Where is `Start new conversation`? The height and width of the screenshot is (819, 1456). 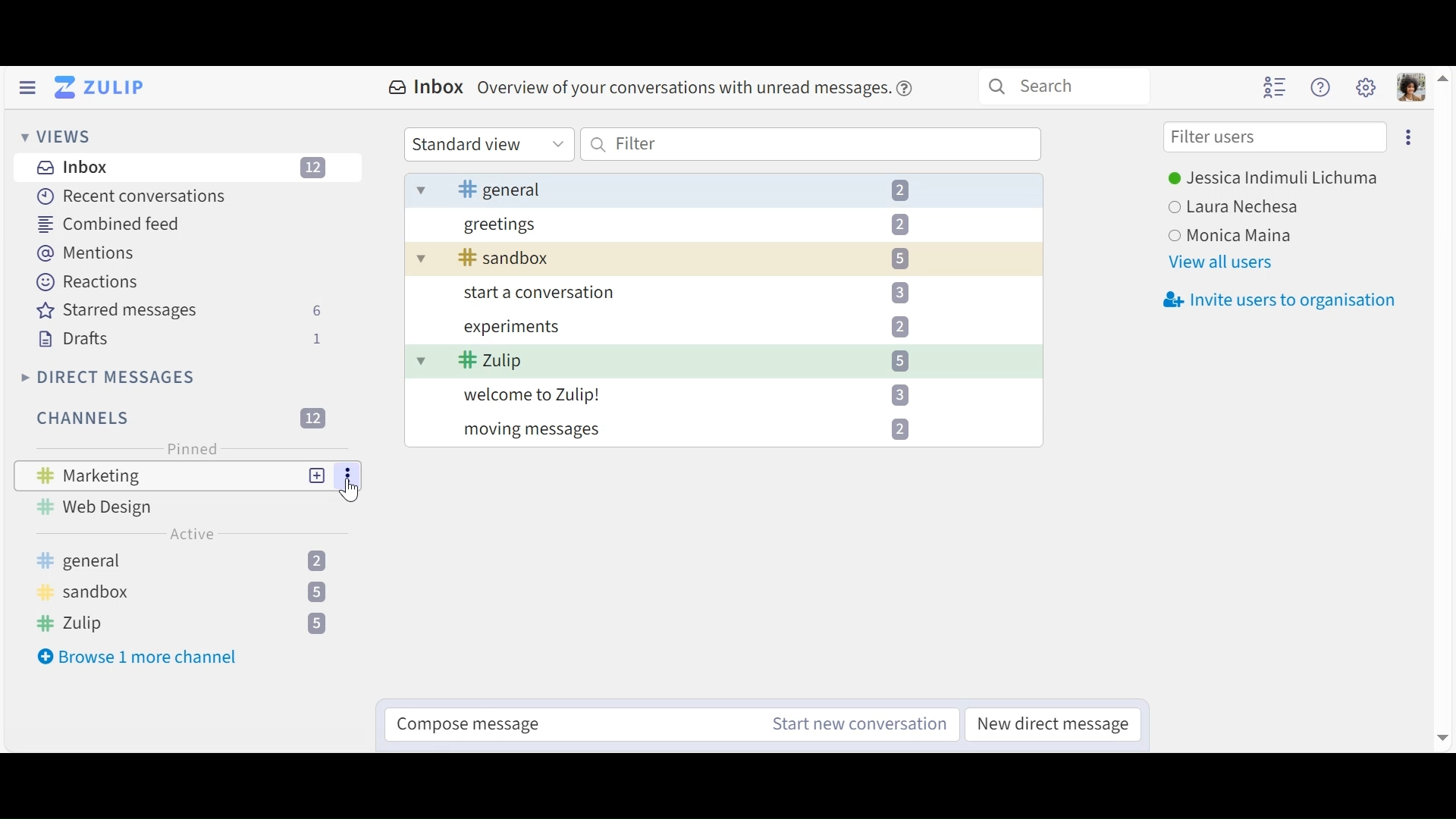
Start new conversation is located at coordinates (849, 723).